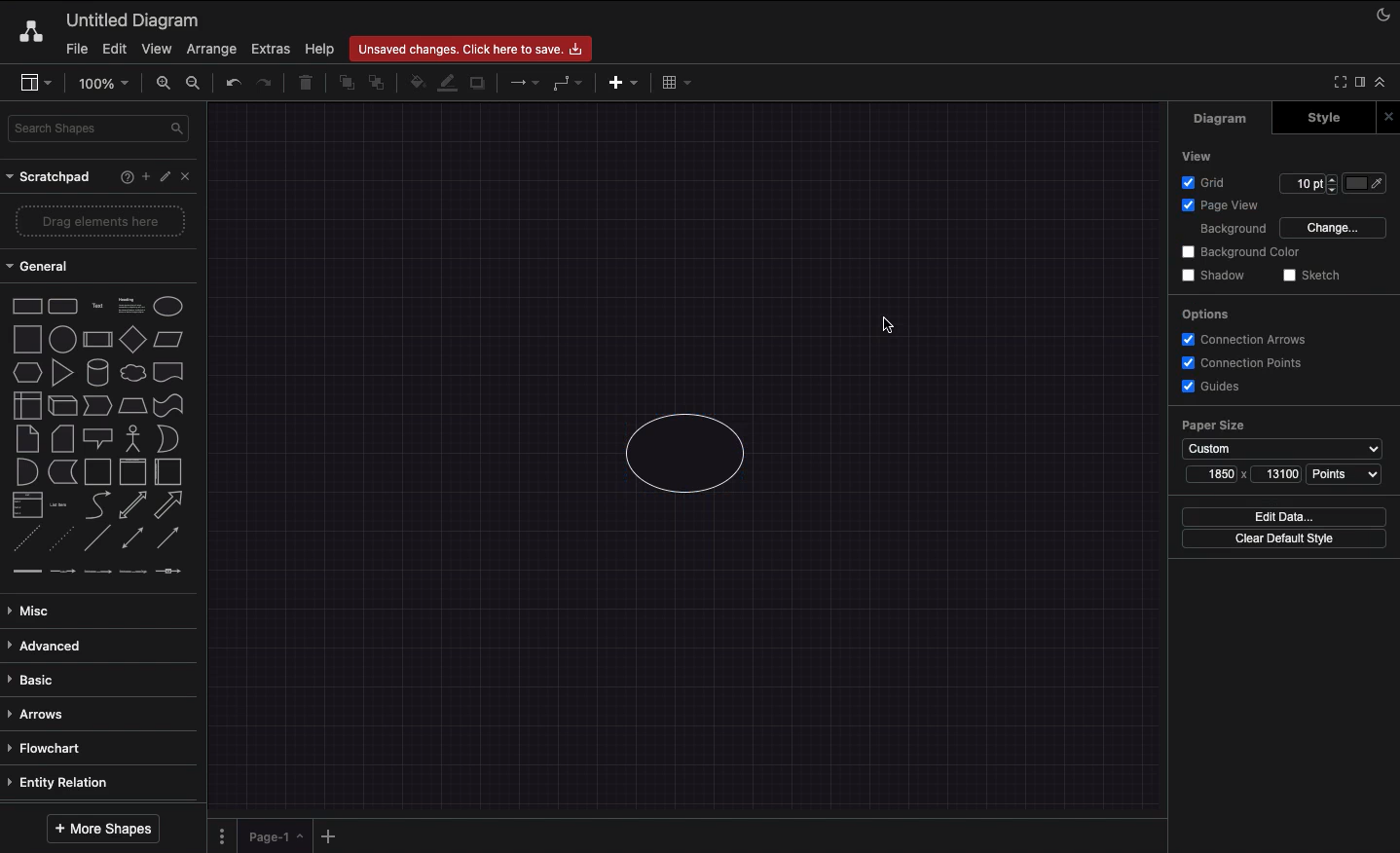 The width and height of the screenshot is (1400, 853). I want to click on View, so click(157, 46).